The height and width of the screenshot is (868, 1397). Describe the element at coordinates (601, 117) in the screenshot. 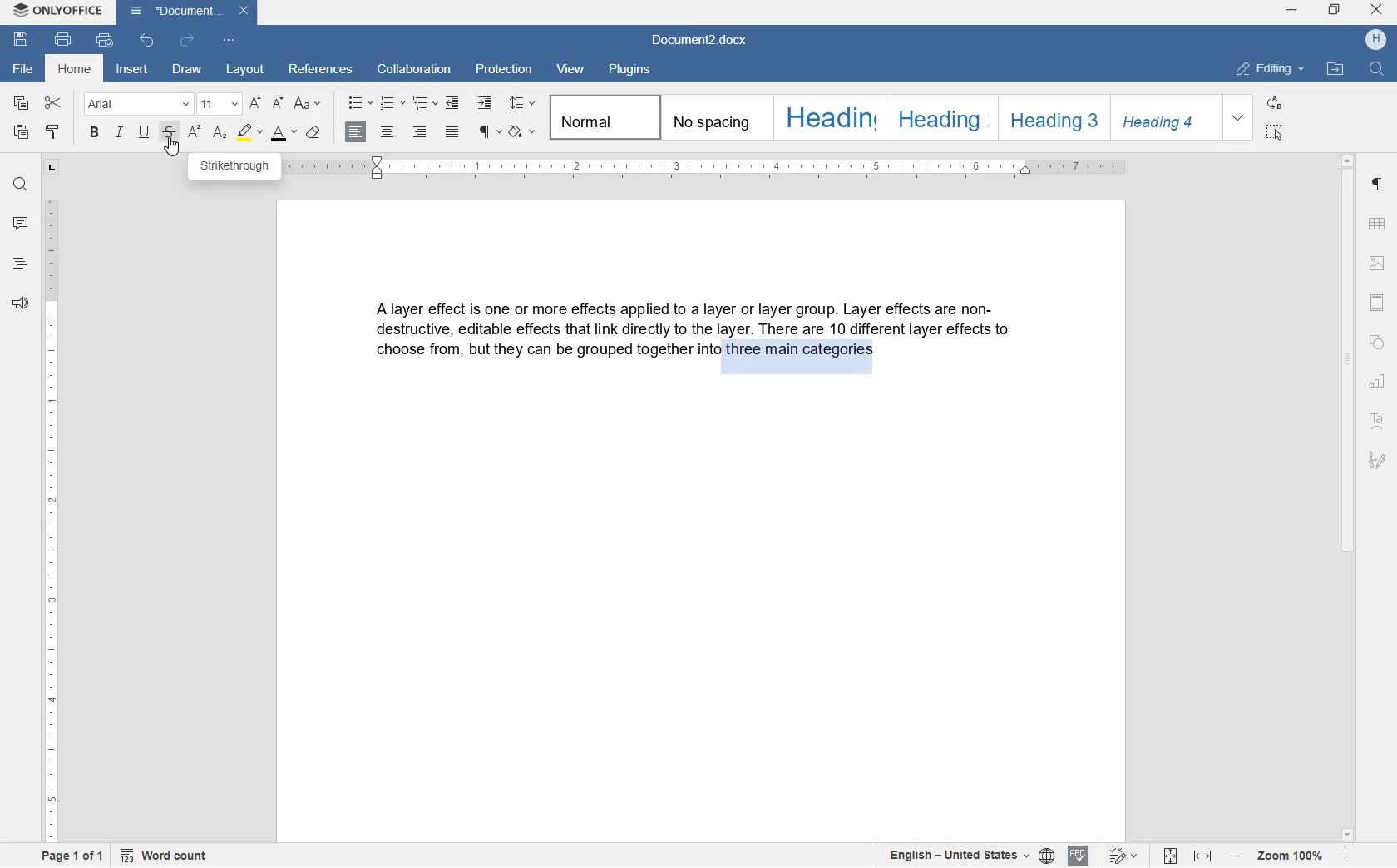

I see `normal` at that location.